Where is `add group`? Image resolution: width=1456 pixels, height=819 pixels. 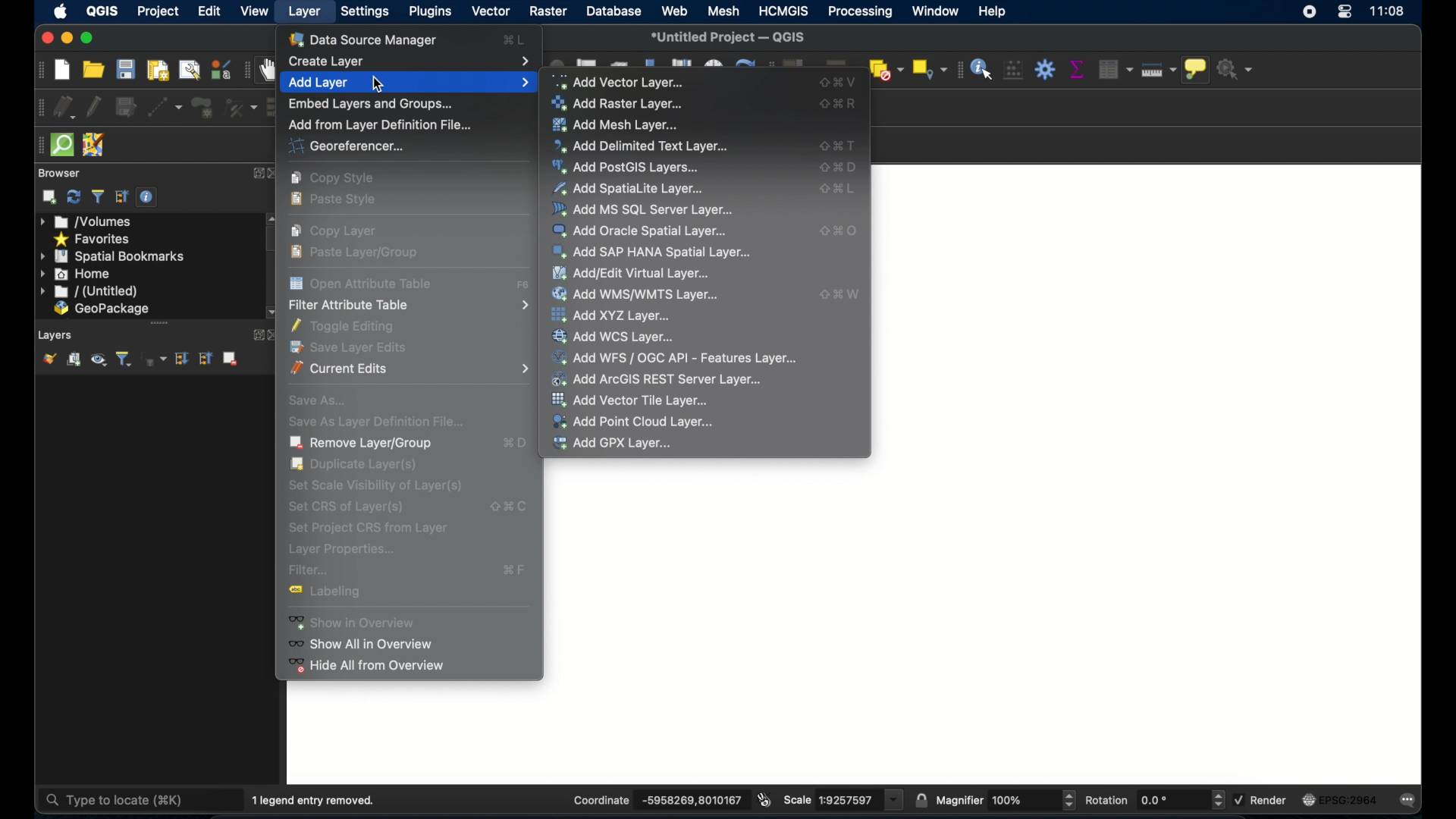 add group is located at coordinates (74, 359).